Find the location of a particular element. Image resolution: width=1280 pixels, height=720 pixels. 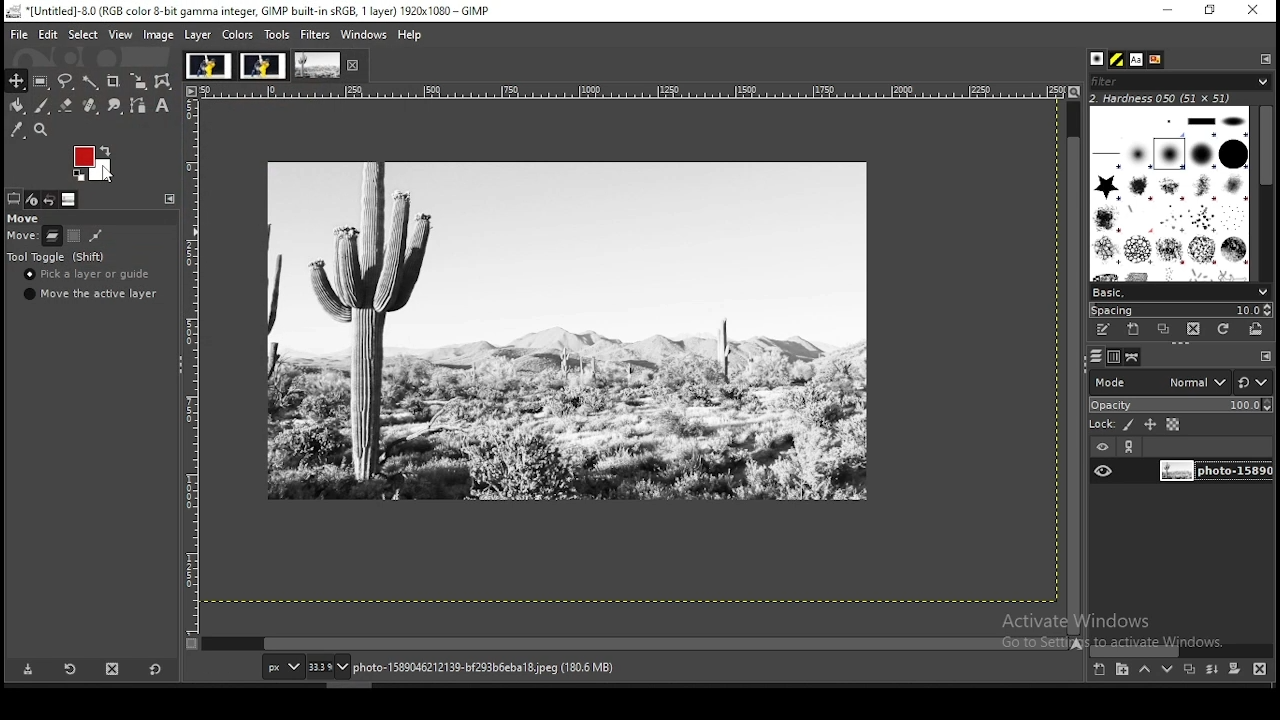

hardness 050 is located at coordinates (1185, 98).